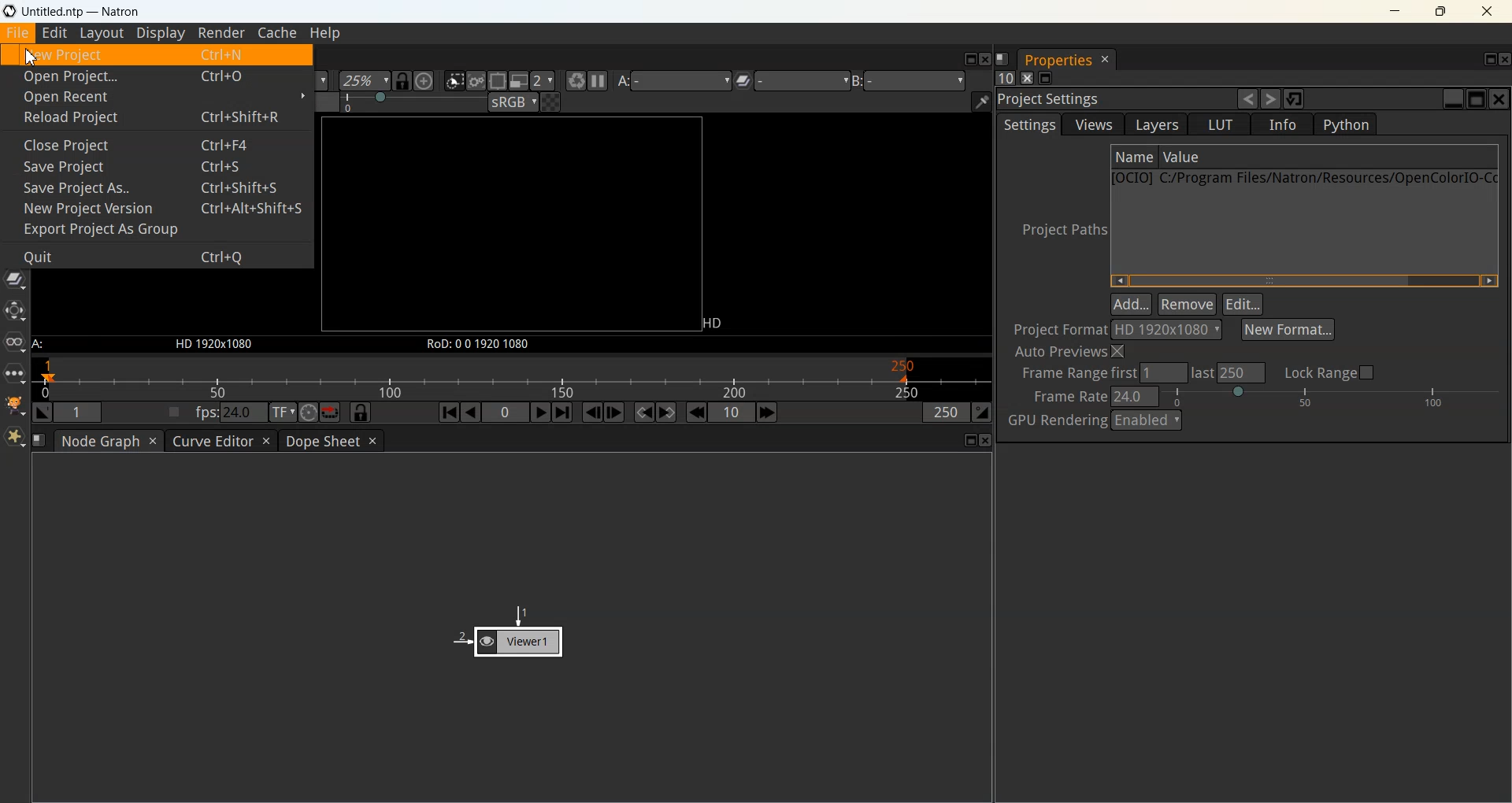  What do you see at coordinates (175, 412) in the screenshot?
I see `Enable fps` at bounding box center [175, 412].